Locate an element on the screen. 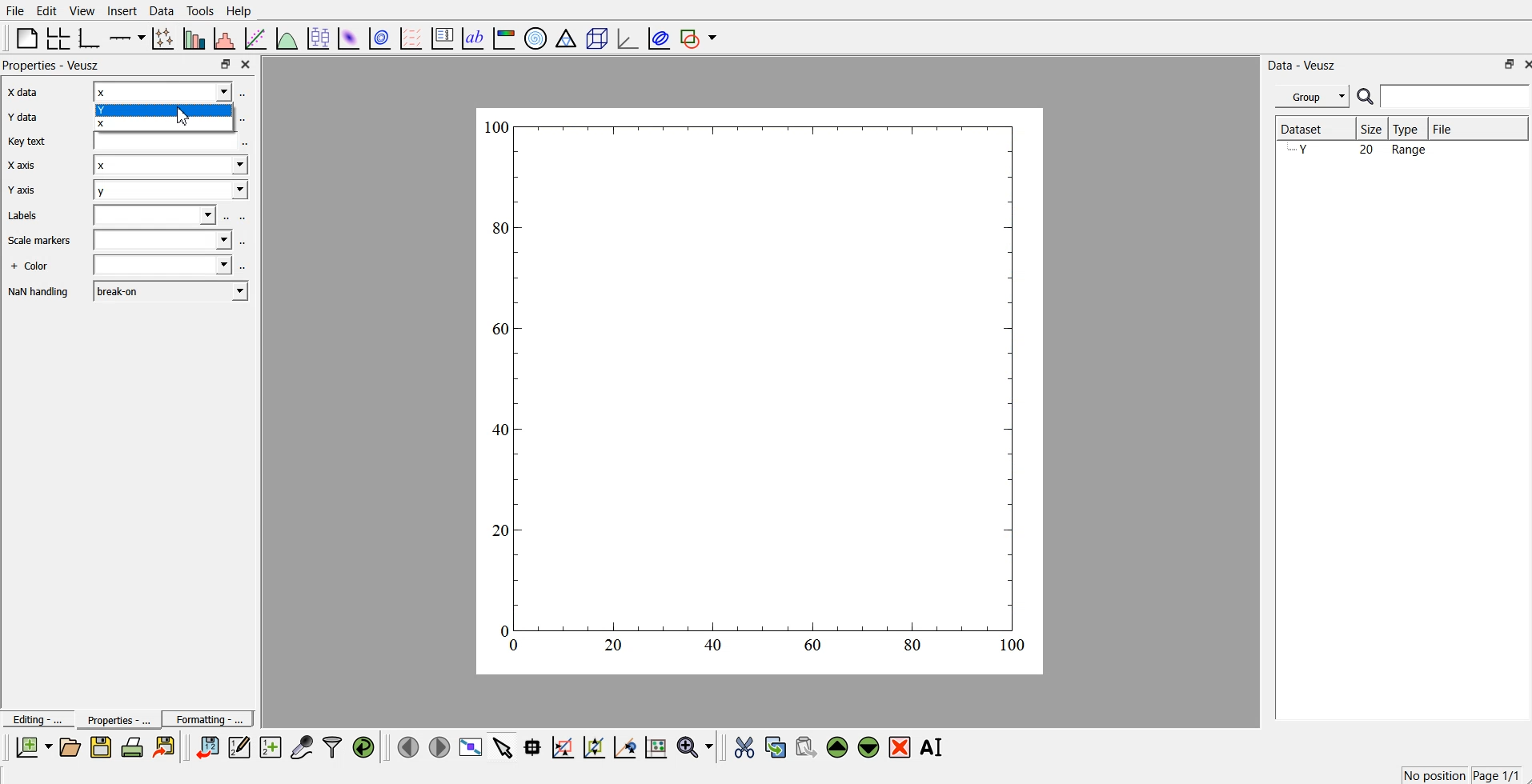 This screenshot has width=1532, height=784. arrange a graph in a grid is located at coordinates (59, 37).